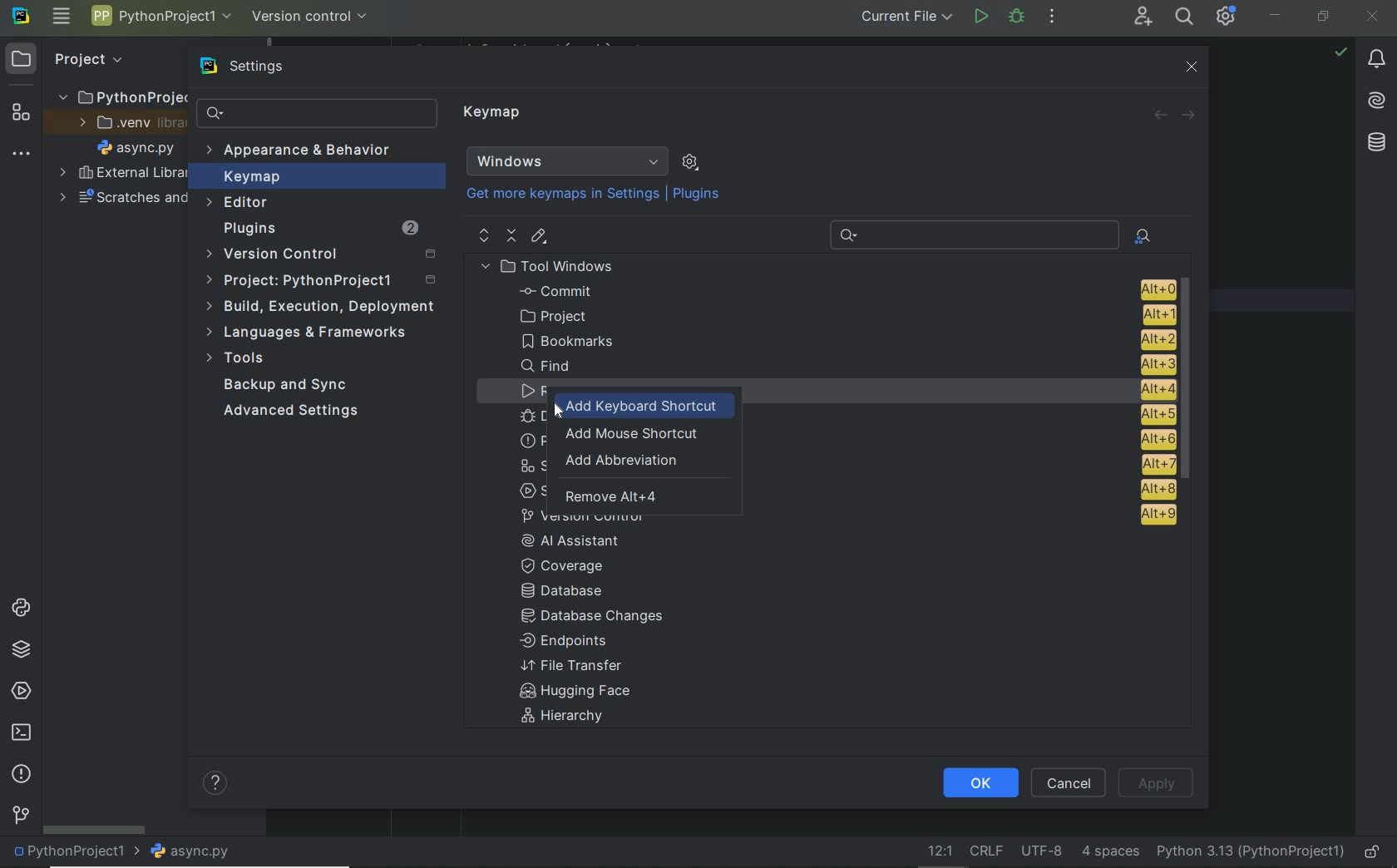  Describe the element at coordinates (1324, 17) in the screenshot. I see `restore down` at that location.